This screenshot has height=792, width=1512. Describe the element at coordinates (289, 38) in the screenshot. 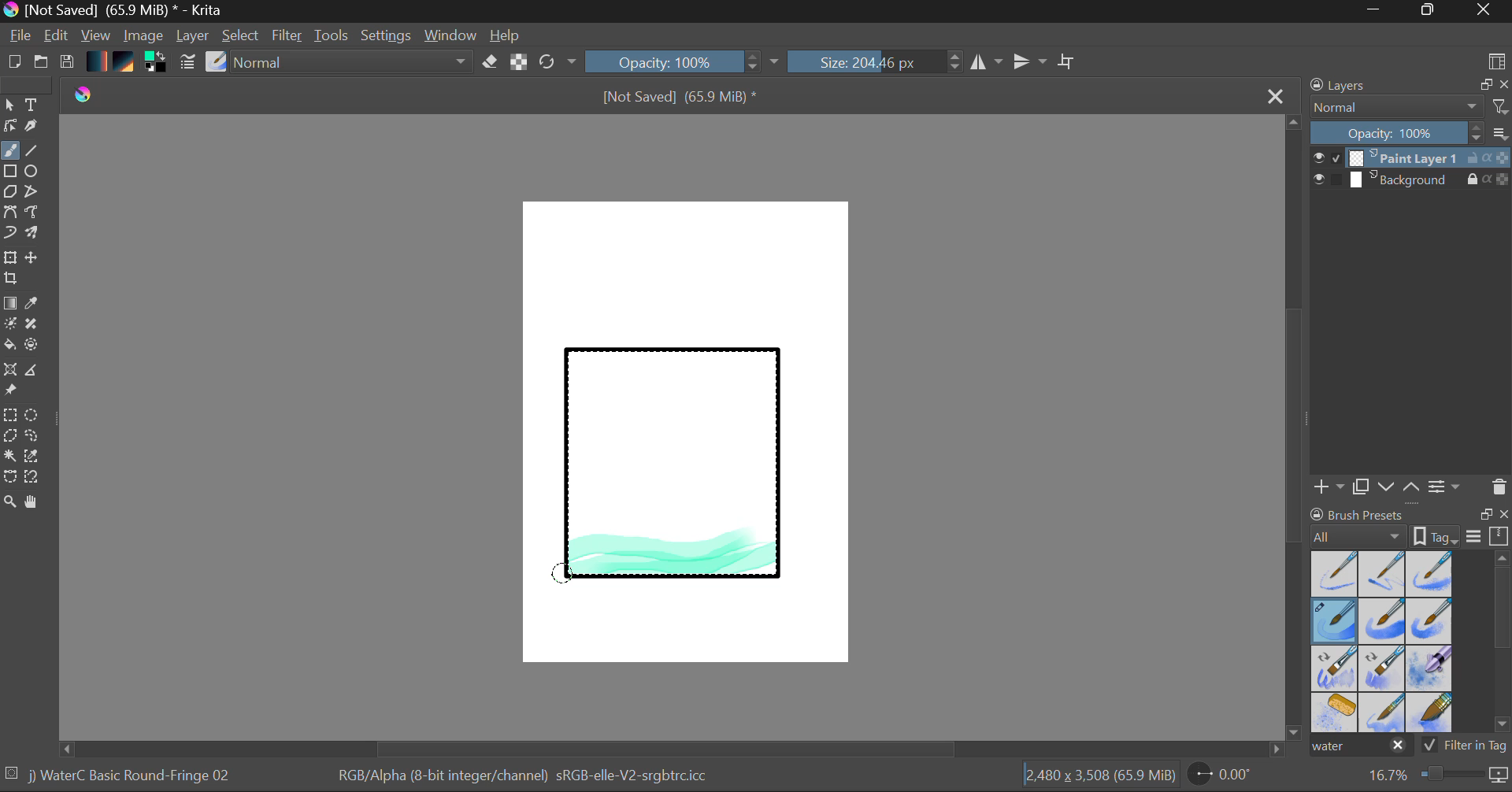

I see `Filter` at that location.